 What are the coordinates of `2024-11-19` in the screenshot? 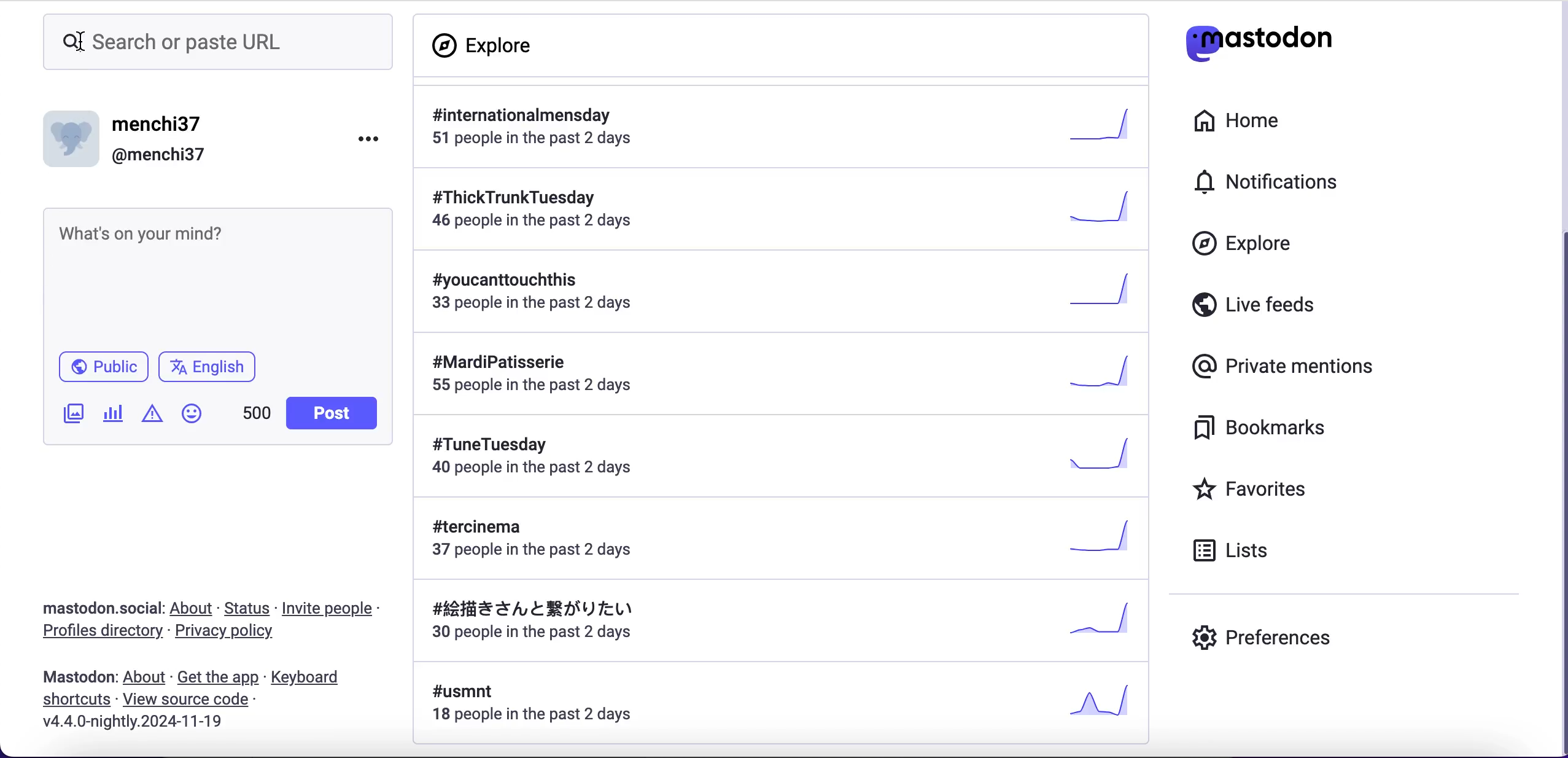 It's located at (141, 725).